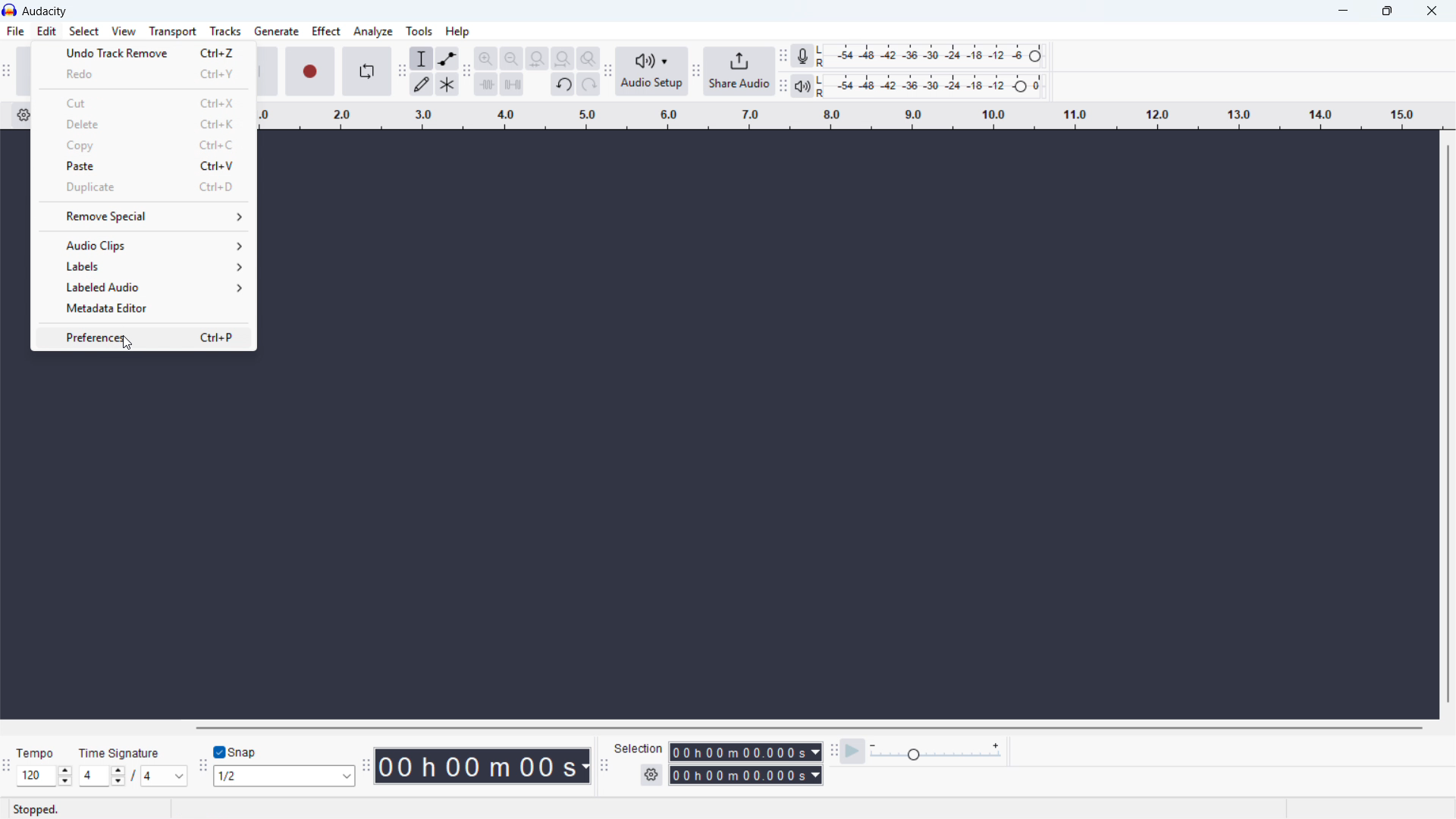 The width and height of the screenshot is (1456, 819). What do you see at coordinates (447, 58) in the screenshot?
I see `envelop tool` at bounding box center [447, 58].